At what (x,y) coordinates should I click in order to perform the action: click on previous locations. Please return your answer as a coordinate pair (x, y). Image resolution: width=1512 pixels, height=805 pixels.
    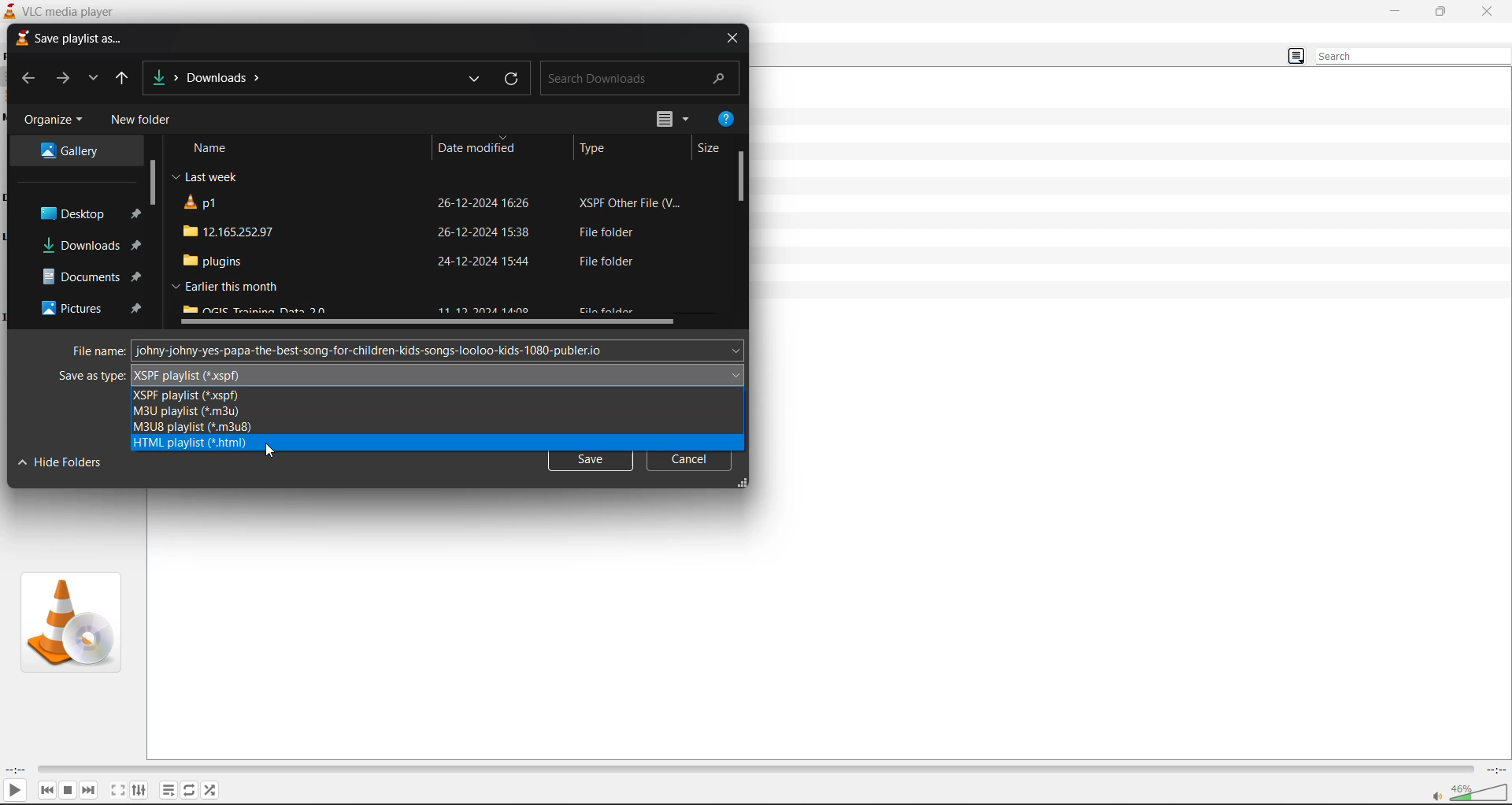
    Looking at the image, I should click on (472, 80).